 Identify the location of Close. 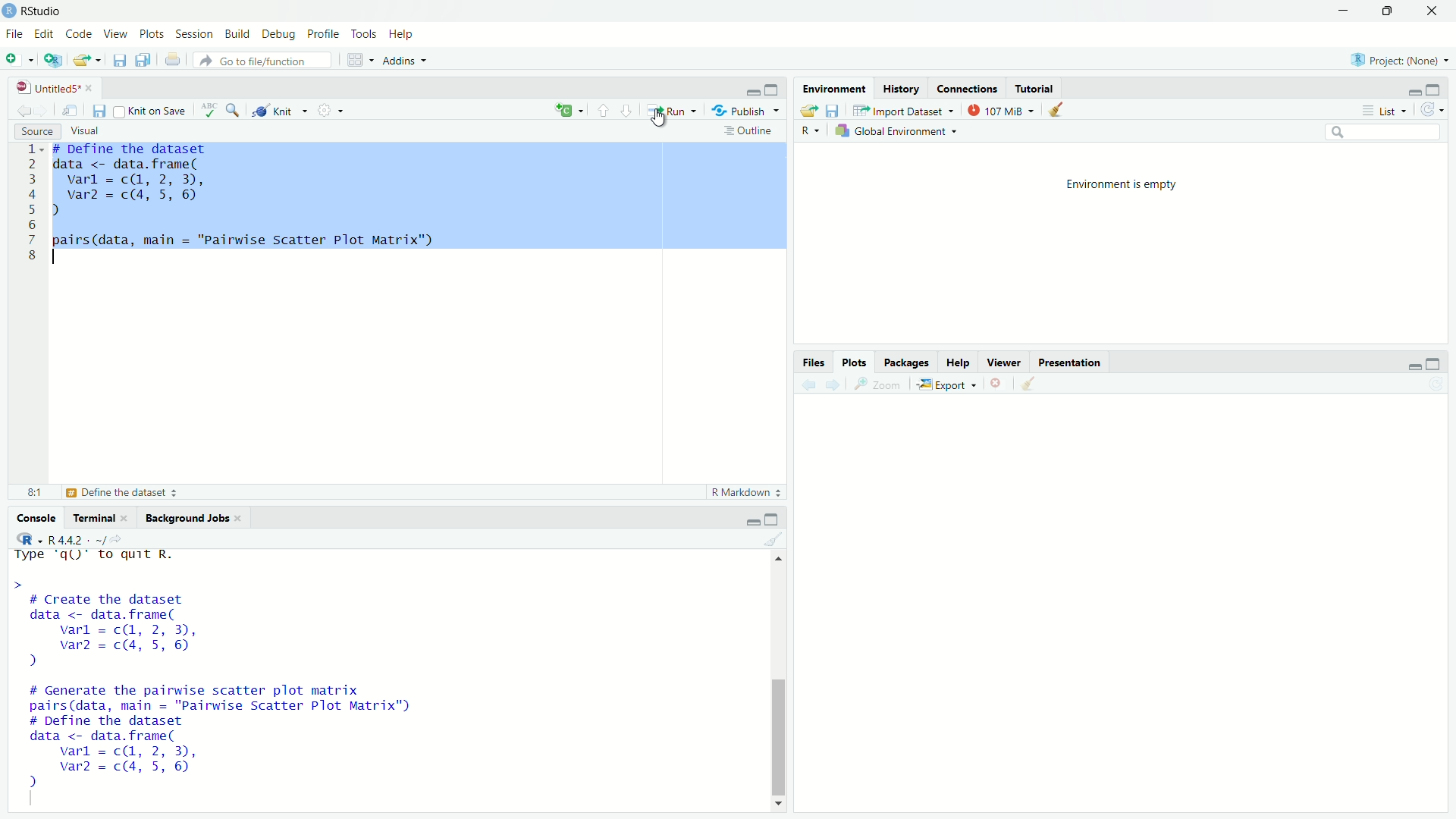
(1434, 10).